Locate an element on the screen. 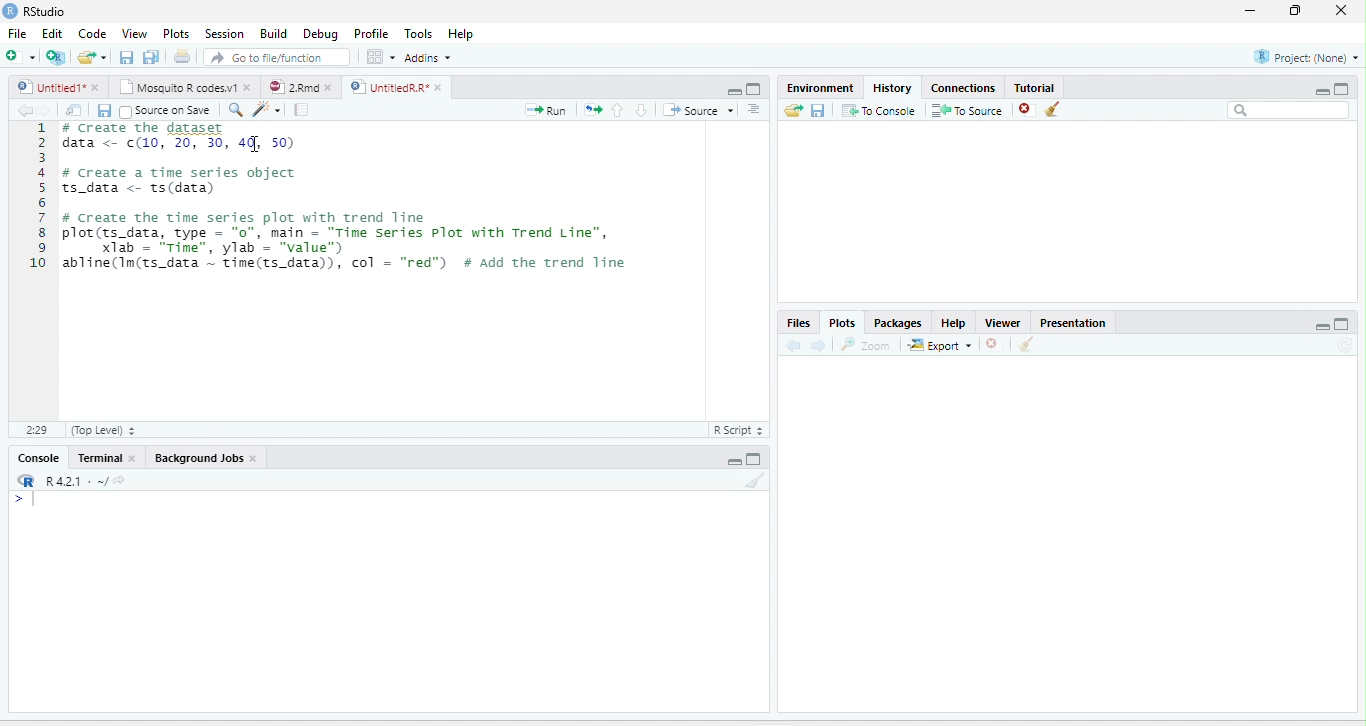  close is located at coordinates (438, 87).